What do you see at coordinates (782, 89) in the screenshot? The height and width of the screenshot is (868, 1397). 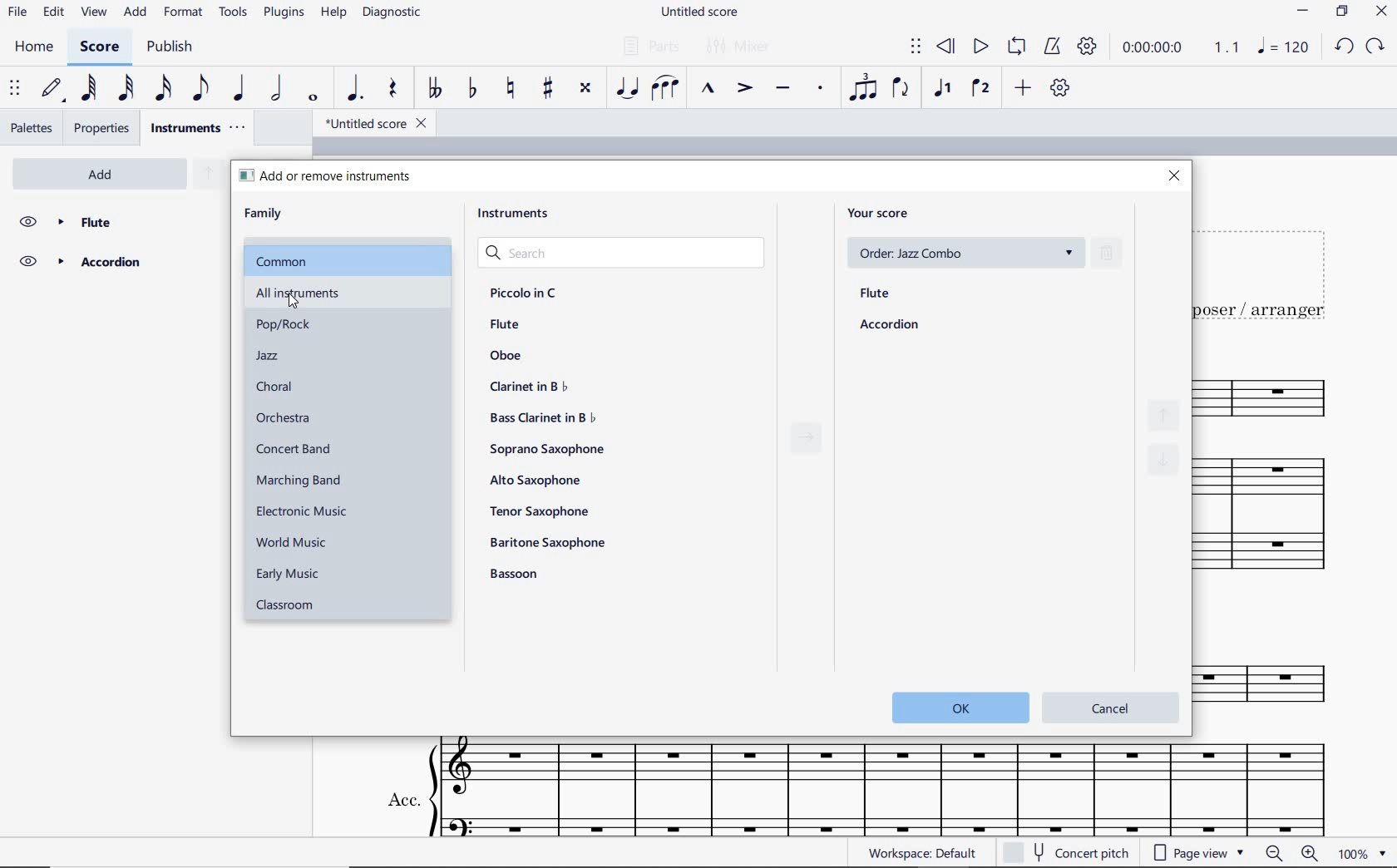 I see `tenuto` at bounding box center [782, 89].